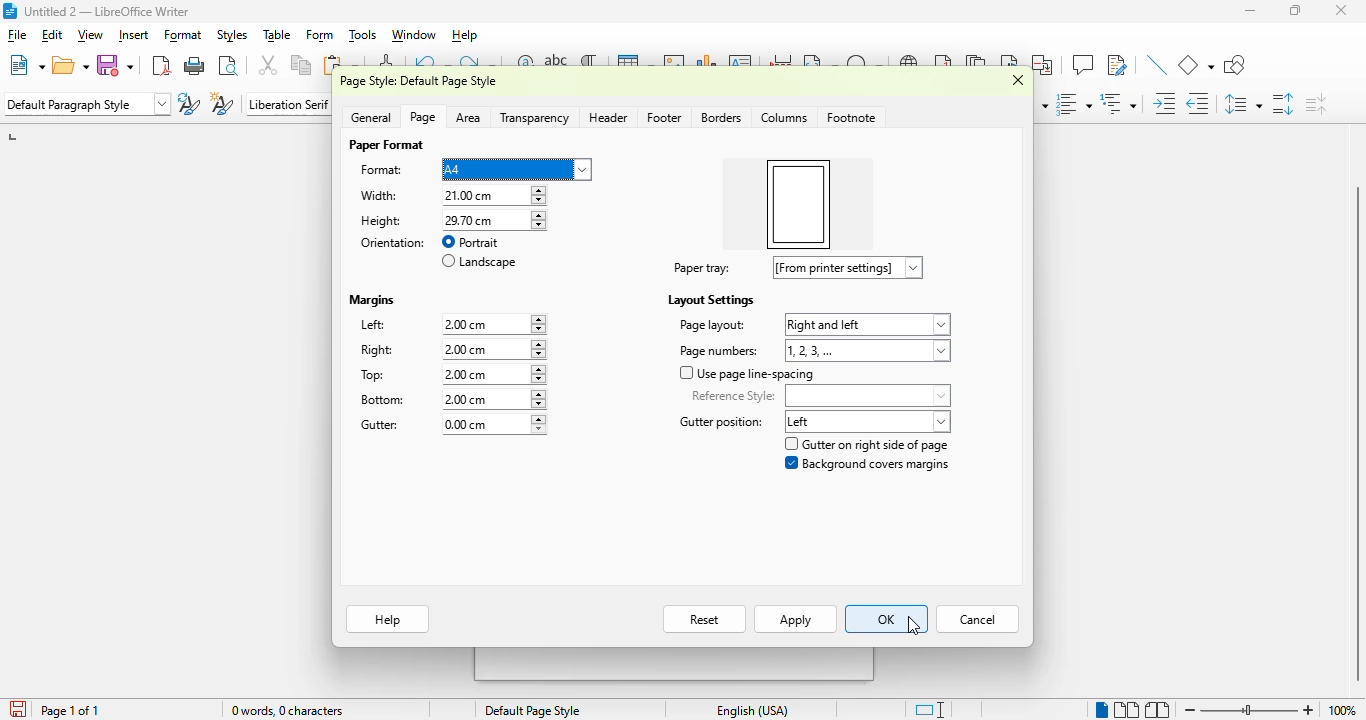  What do you see at coordinates (1316, 105) in the screenshot?
I see `decrease paragraph spacing` at bounding box center [1316, 105].